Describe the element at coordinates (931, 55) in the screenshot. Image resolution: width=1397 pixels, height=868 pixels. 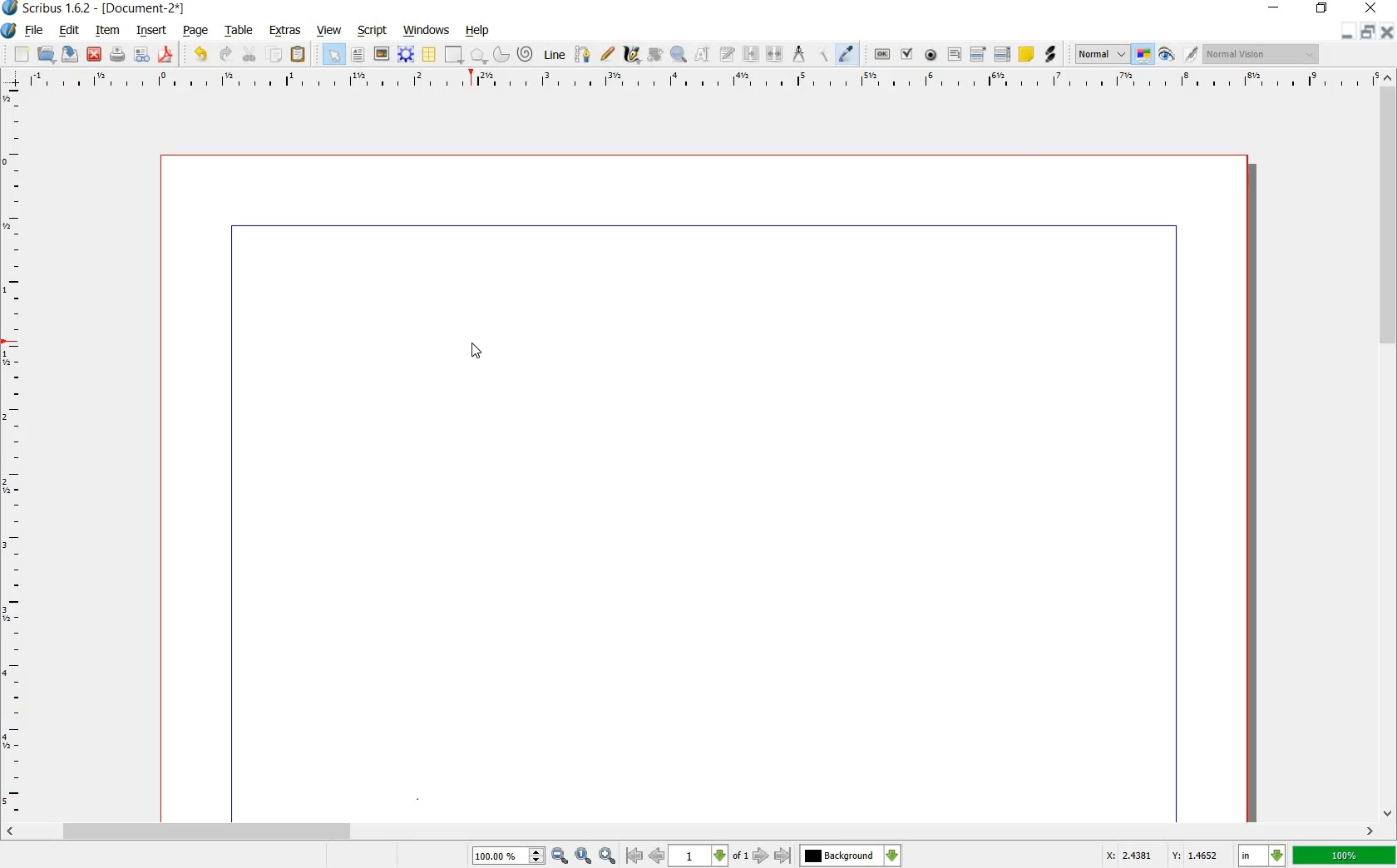
I see `PDF RADIO BUTTON` at that location.